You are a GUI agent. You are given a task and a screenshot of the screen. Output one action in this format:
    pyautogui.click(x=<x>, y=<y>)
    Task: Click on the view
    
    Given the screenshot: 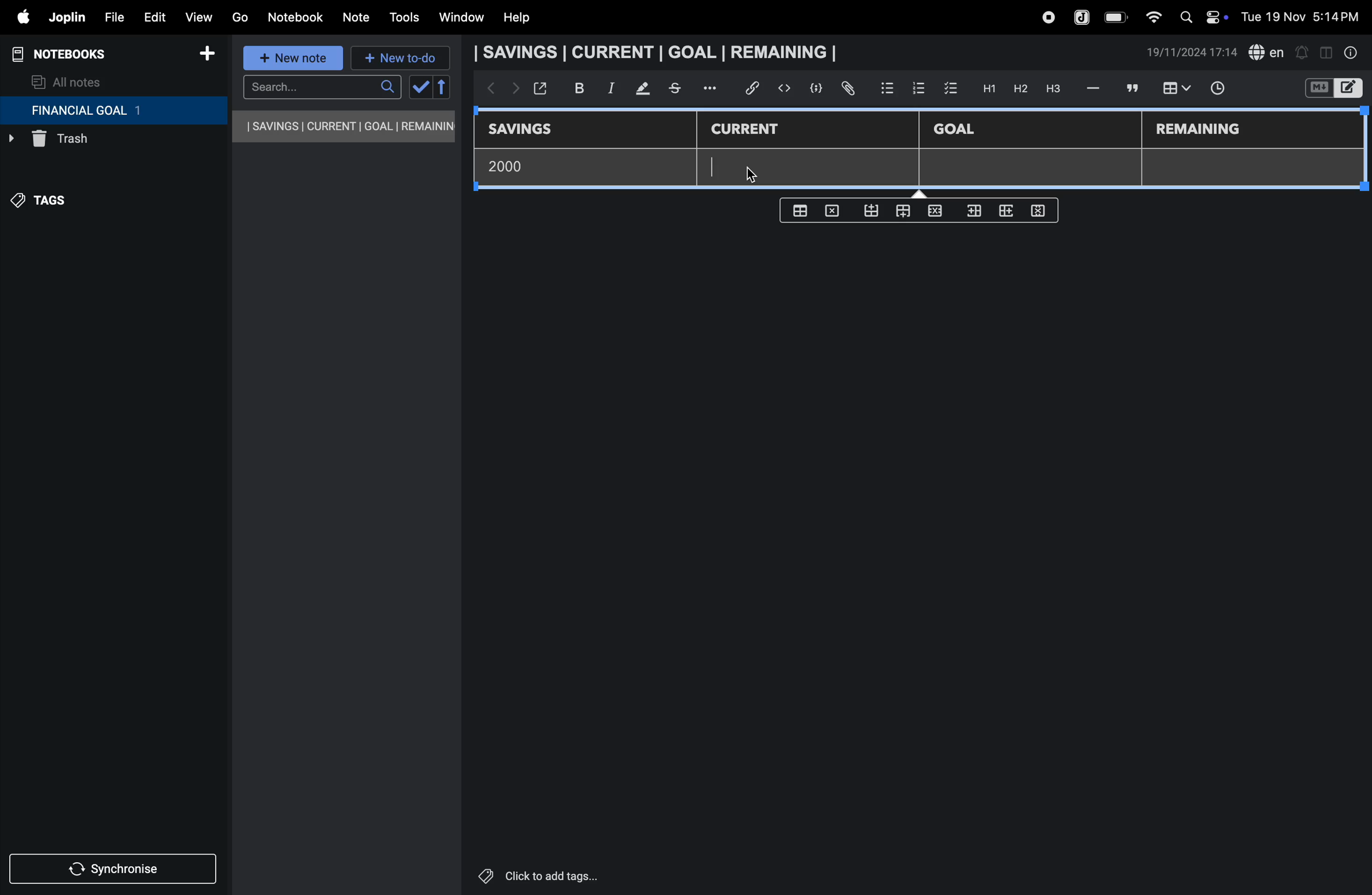 What is the action you would take?
    pyautogui.click(x=198, y=14)
    